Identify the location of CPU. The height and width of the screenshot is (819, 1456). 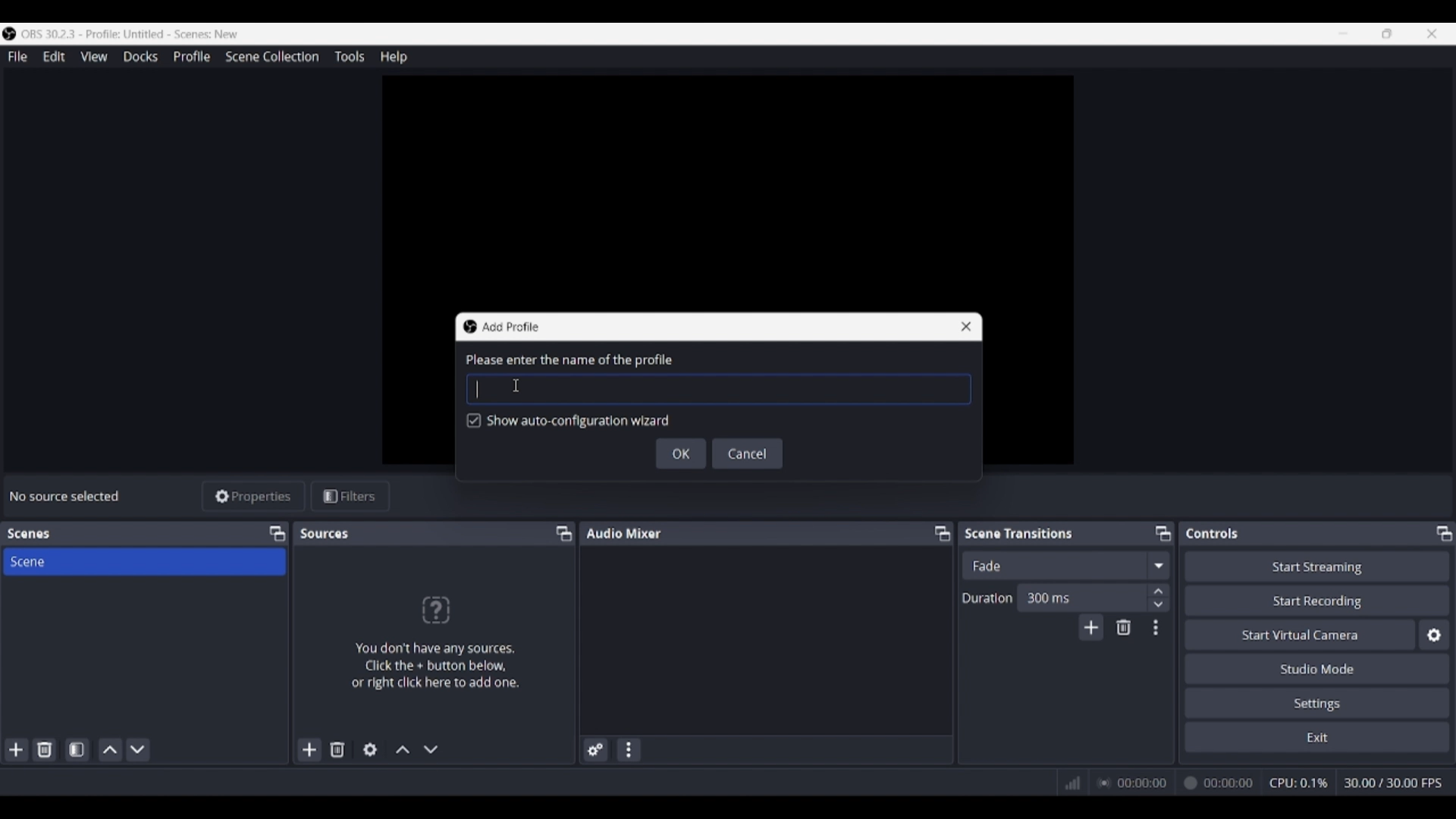
(1299, 783).